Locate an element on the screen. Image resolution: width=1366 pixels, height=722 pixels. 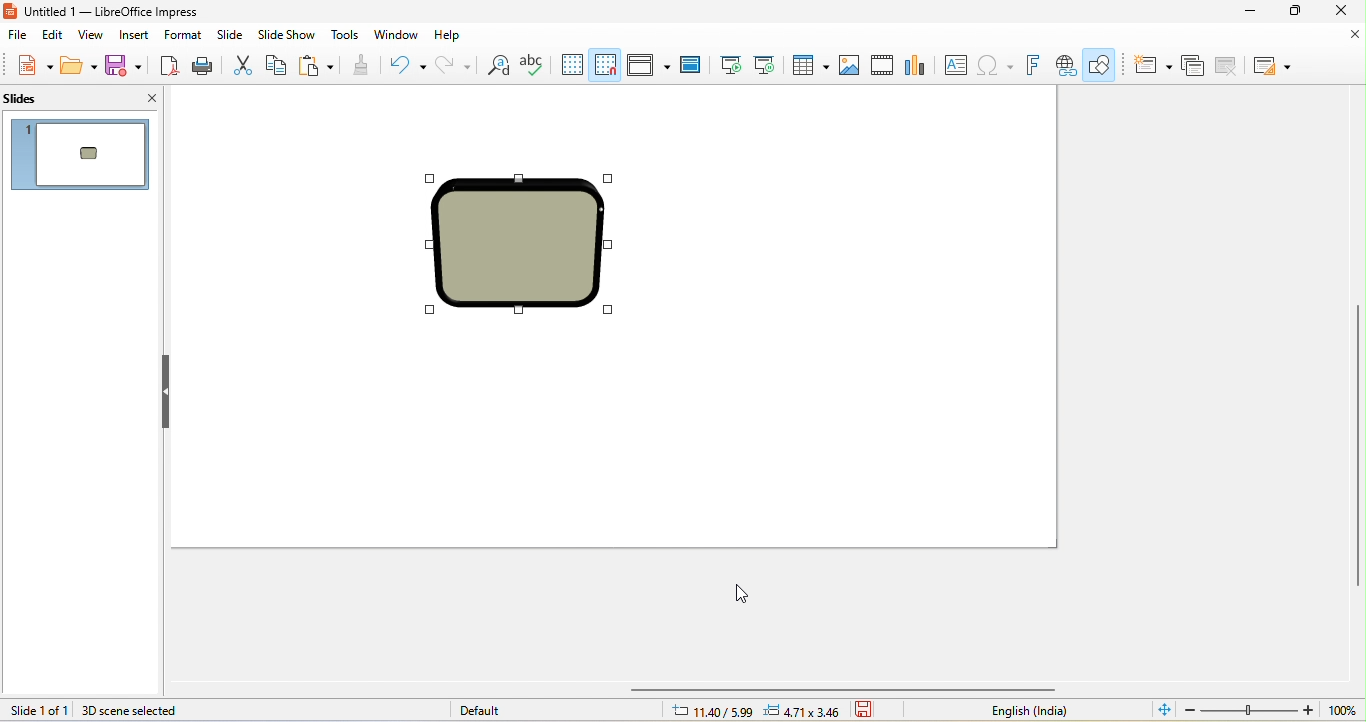
fit slide to current window is located at coordinates (1163, 711).